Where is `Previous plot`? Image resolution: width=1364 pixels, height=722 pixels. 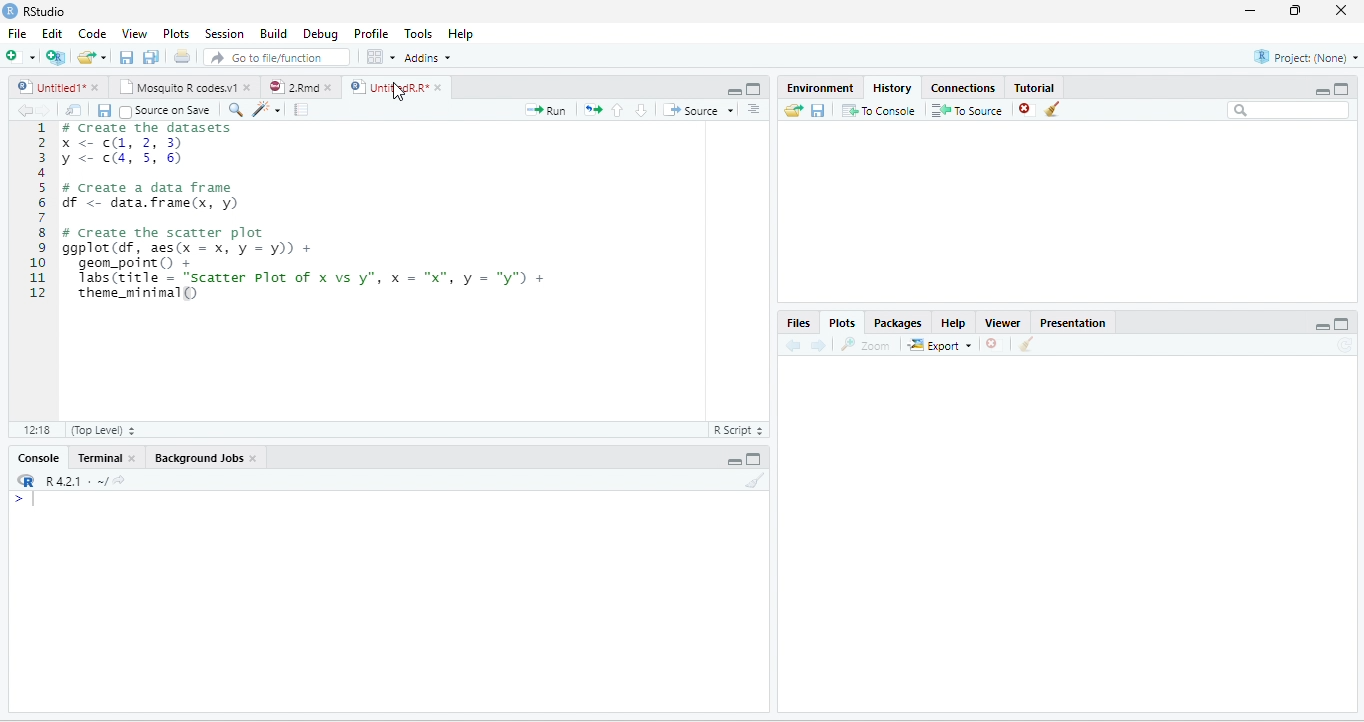
Previous plot is located at coordinates (794, 345).